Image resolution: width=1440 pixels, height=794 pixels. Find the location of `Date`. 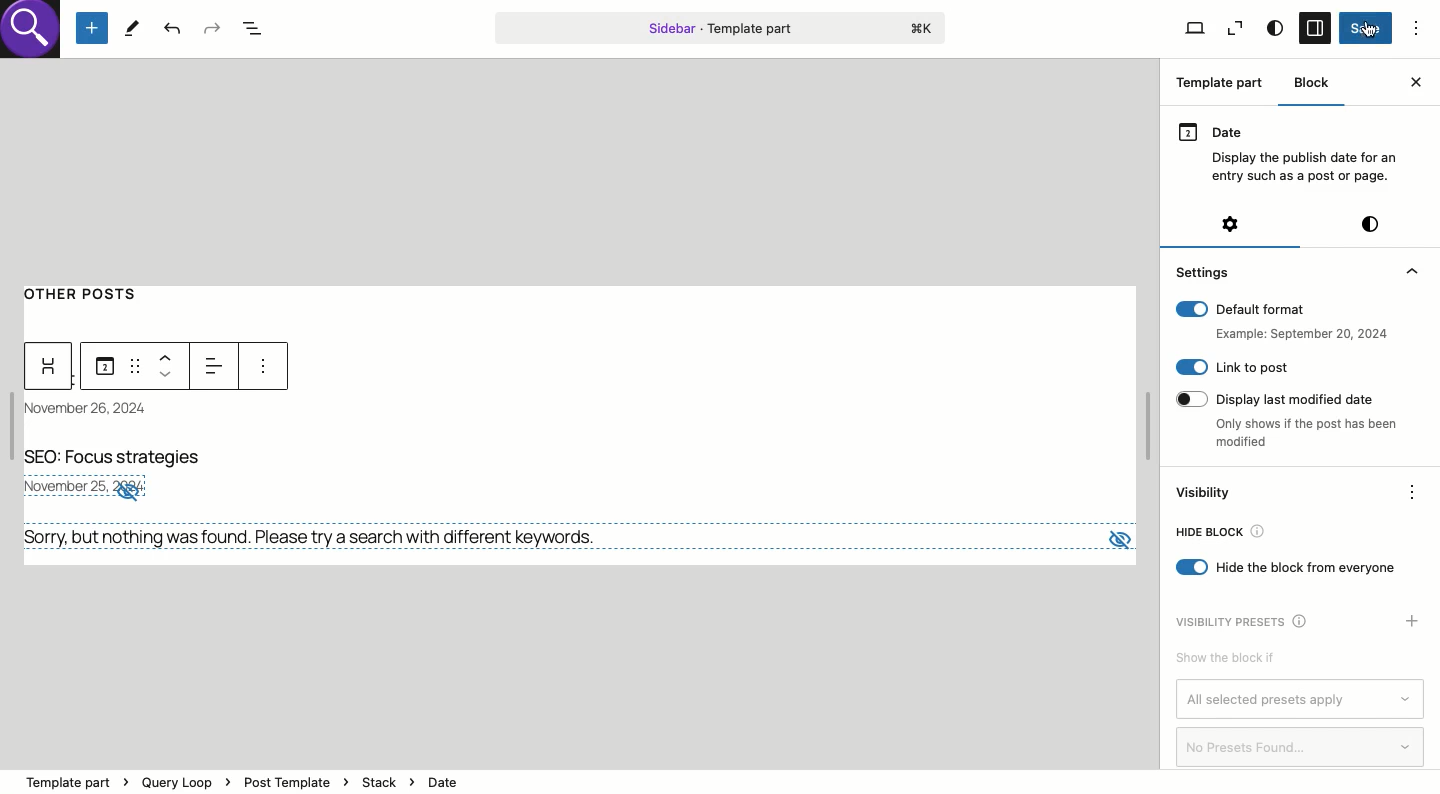

Date is located at coordinates (104, 367).